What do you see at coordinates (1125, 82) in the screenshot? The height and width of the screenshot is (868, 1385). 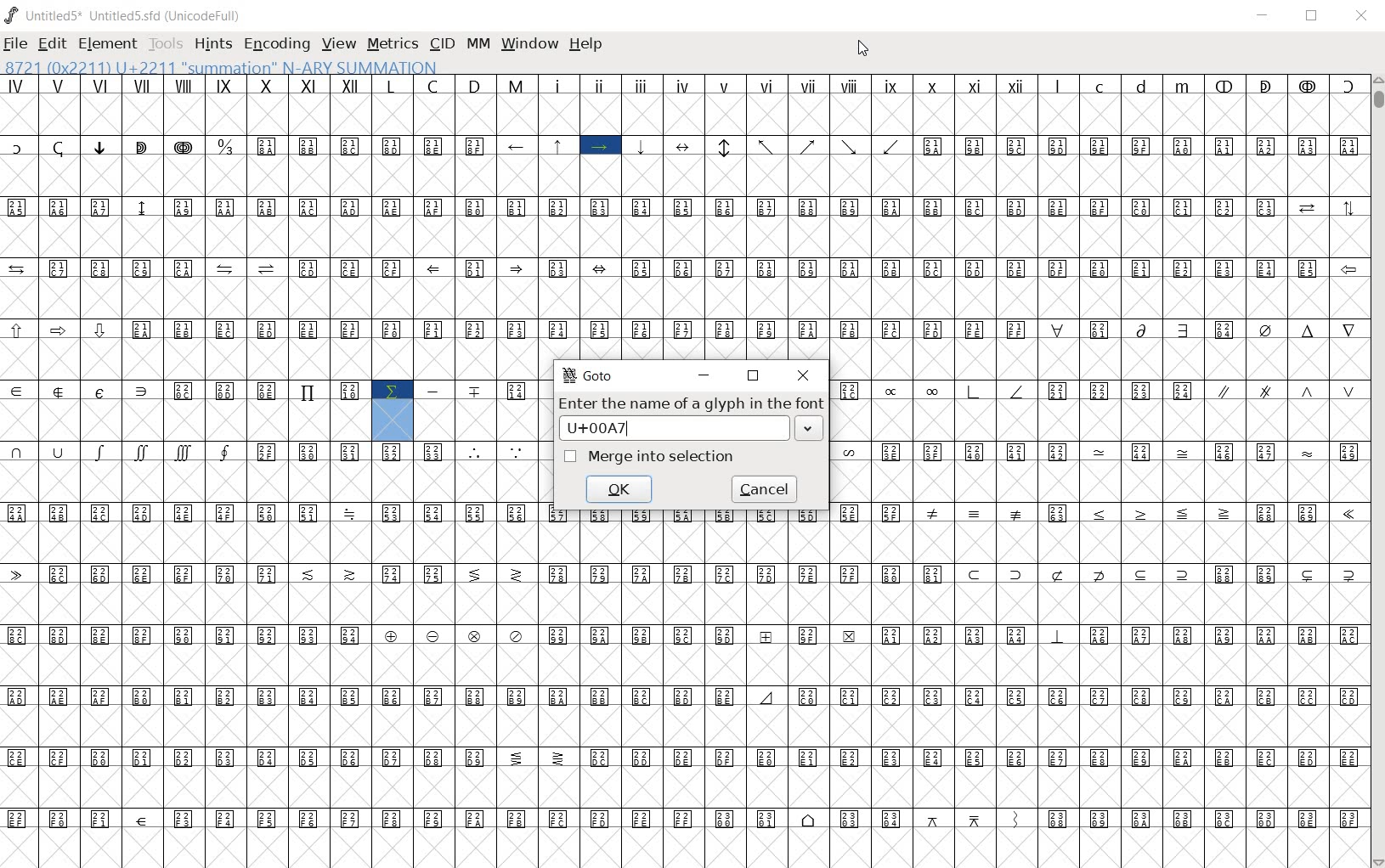 I see `small letters l c d m` at bounding box center [1125, 82].